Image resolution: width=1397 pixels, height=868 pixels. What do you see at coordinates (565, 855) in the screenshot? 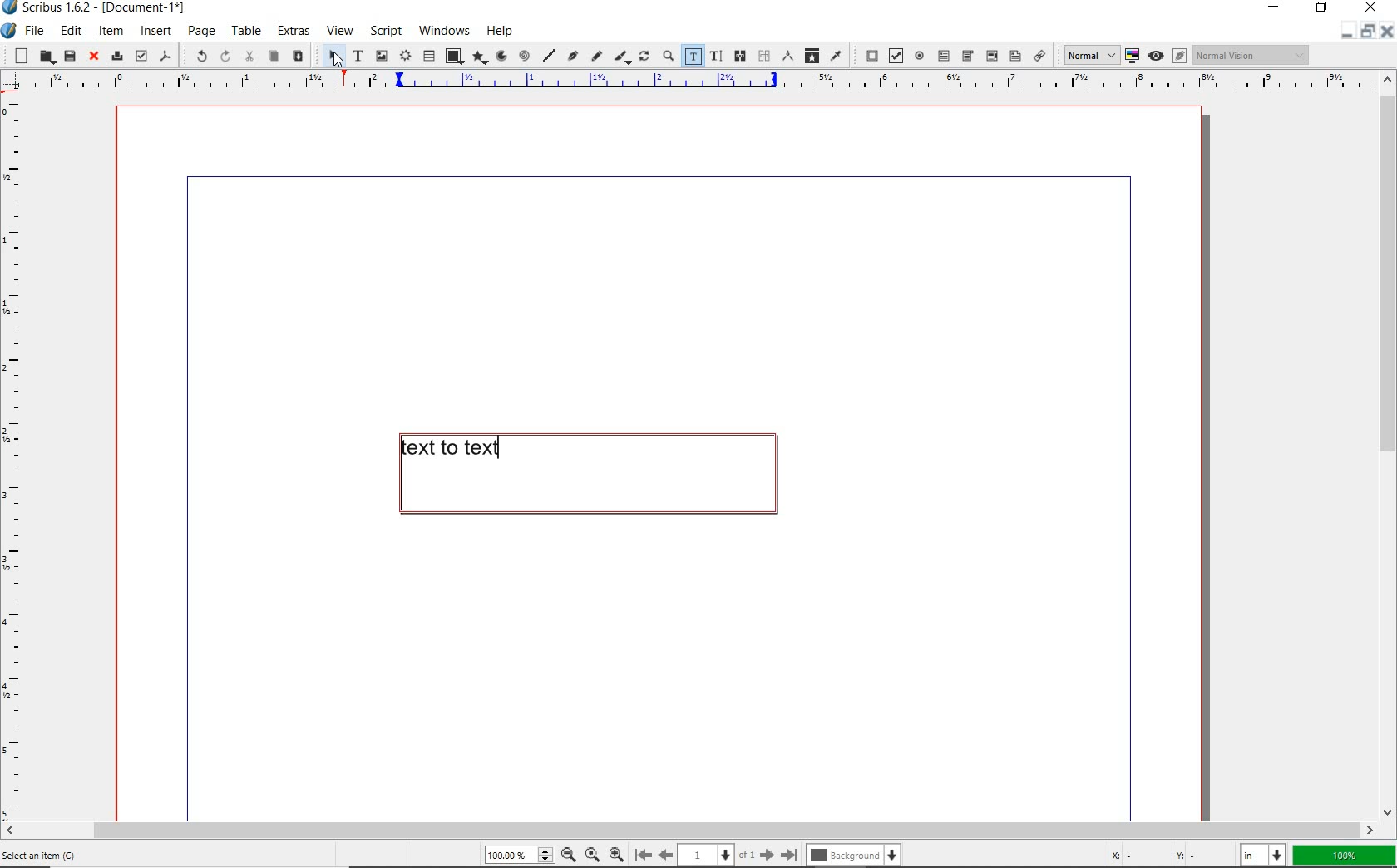
I see `Zoom out` at bounding box center [565, 855].